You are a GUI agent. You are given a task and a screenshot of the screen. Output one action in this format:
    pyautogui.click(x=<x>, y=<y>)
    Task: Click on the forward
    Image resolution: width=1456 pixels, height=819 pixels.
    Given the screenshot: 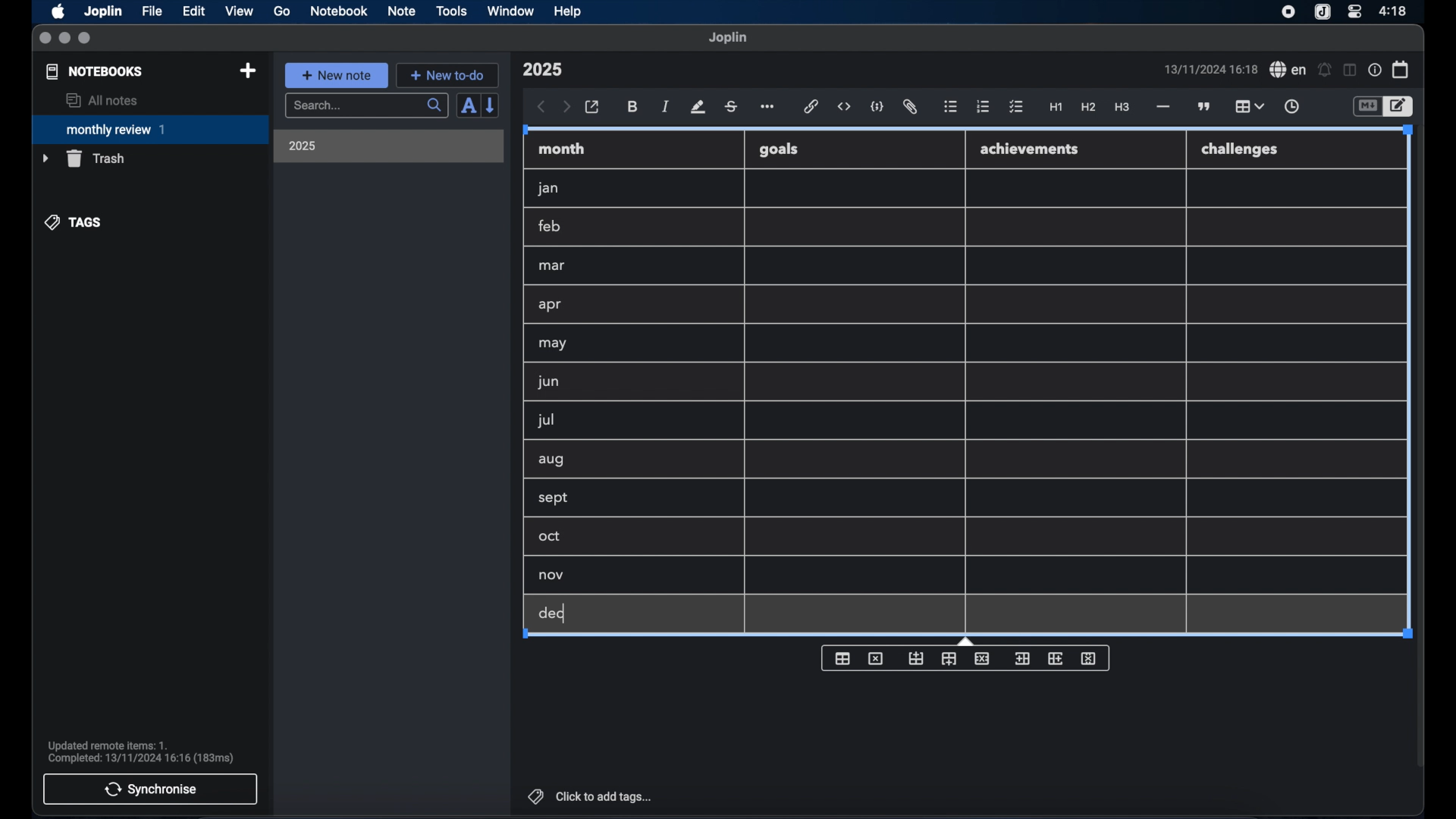 What is the action you would take?
    pyautogui.click(x=566, y=108)
    